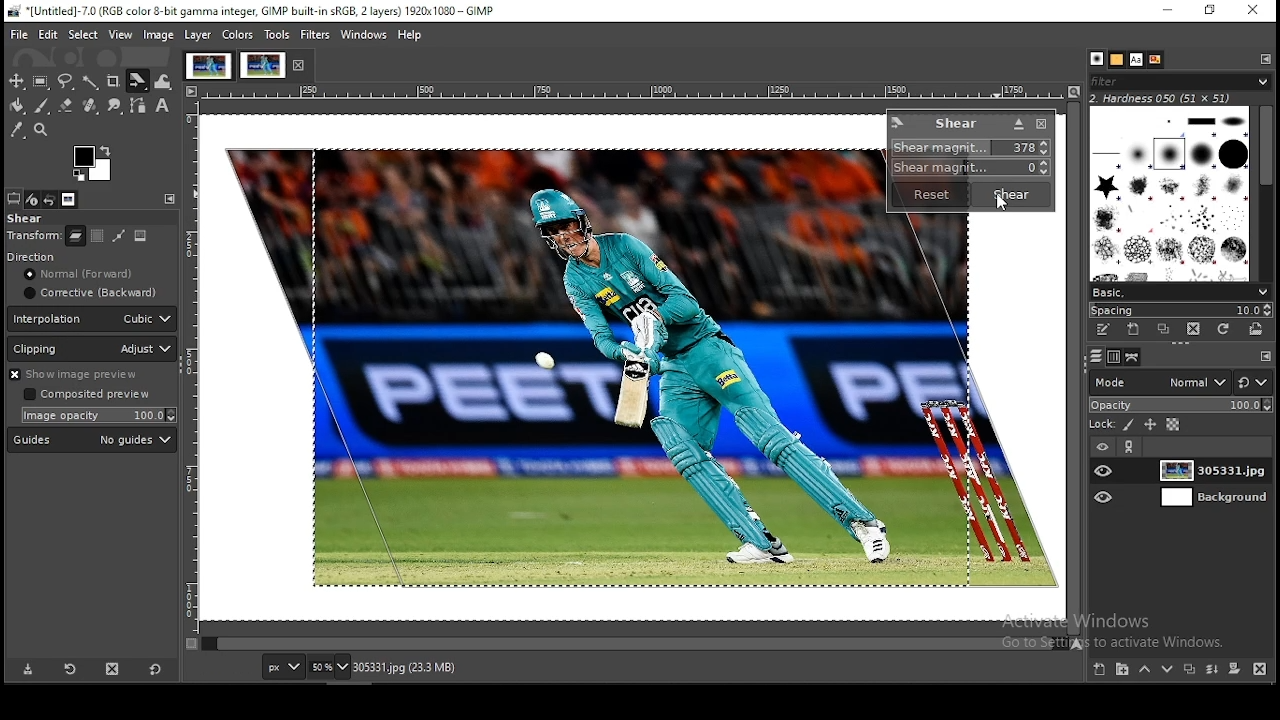 This screenshot has width=1280, height=720. What do you see at coordinates (330, 667) in the screenshot?
I see `zoom level` at bounding box center [330, 667].